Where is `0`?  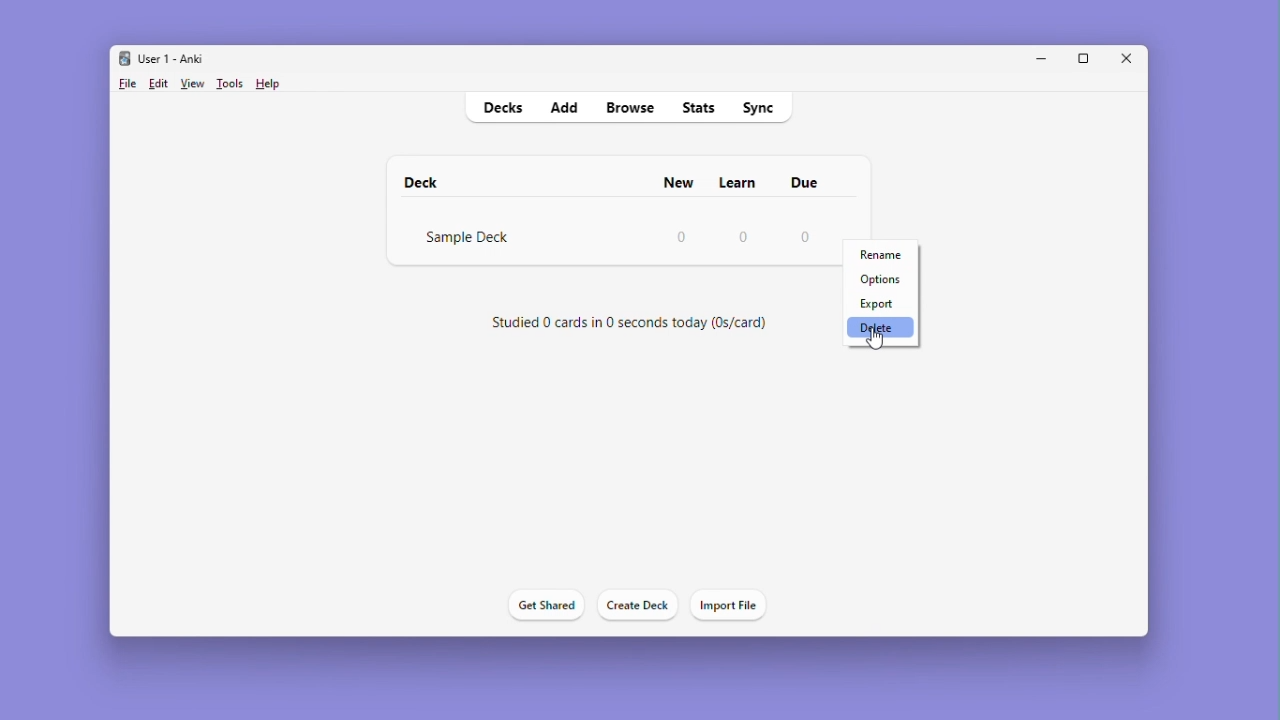
0 is located at coordinates (803, 240).